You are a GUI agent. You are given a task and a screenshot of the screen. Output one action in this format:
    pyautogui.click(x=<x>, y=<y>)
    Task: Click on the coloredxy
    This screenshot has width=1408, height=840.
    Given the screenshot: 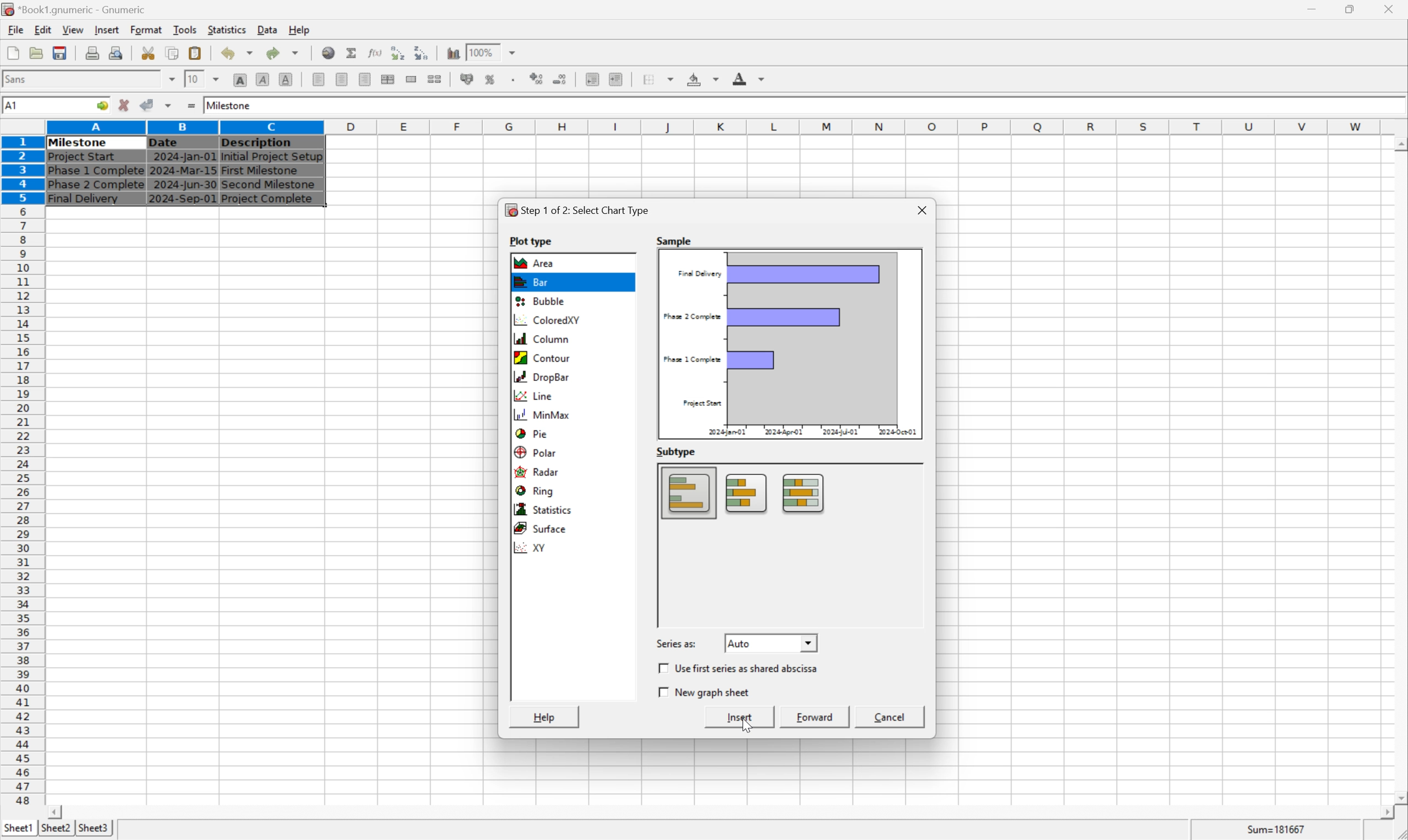 What is the action you would take?
    pyautogui.click(x=546, y=322)
    